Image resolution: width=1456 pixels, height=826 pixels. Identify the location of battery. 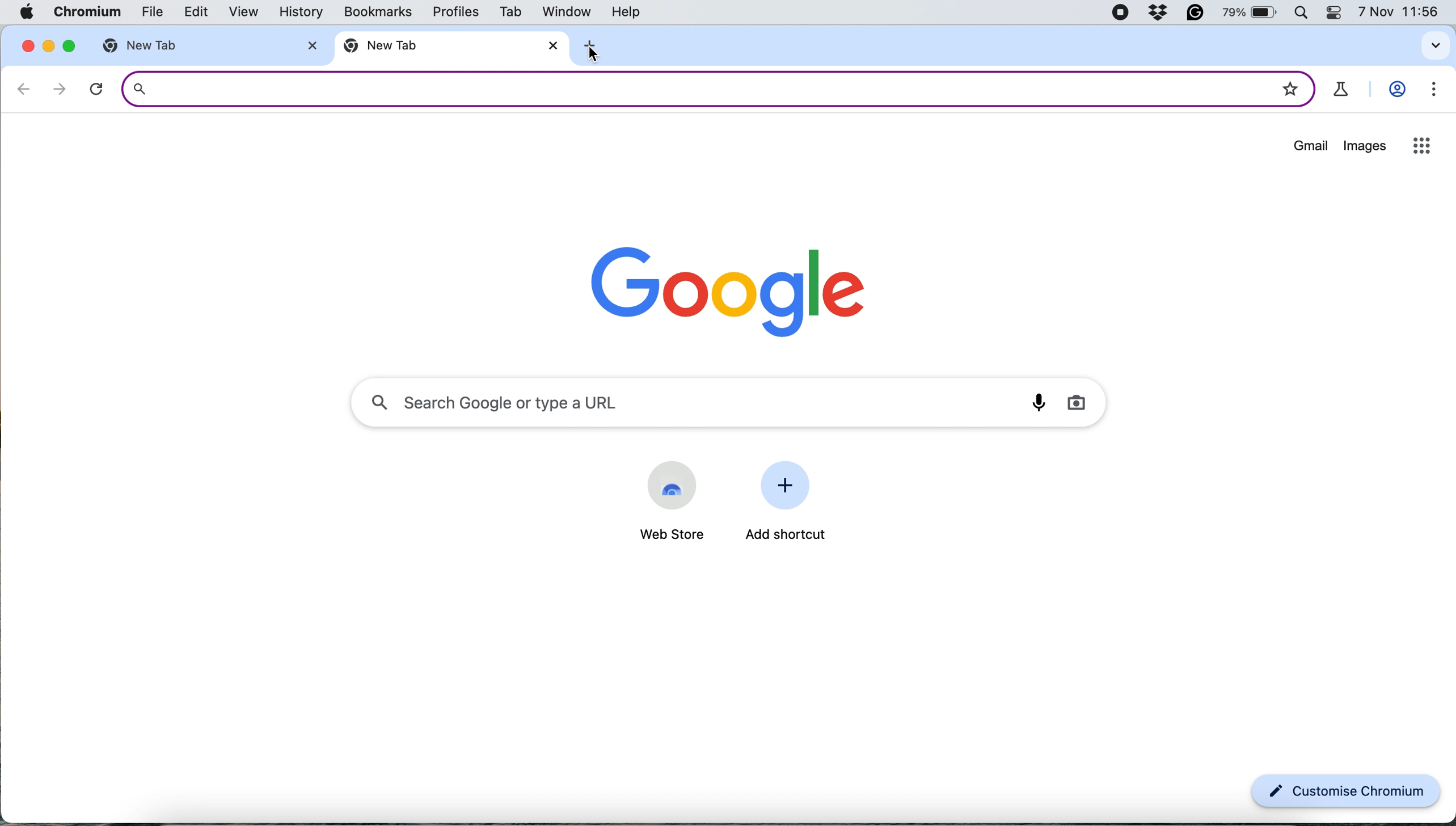
(1254, 13).